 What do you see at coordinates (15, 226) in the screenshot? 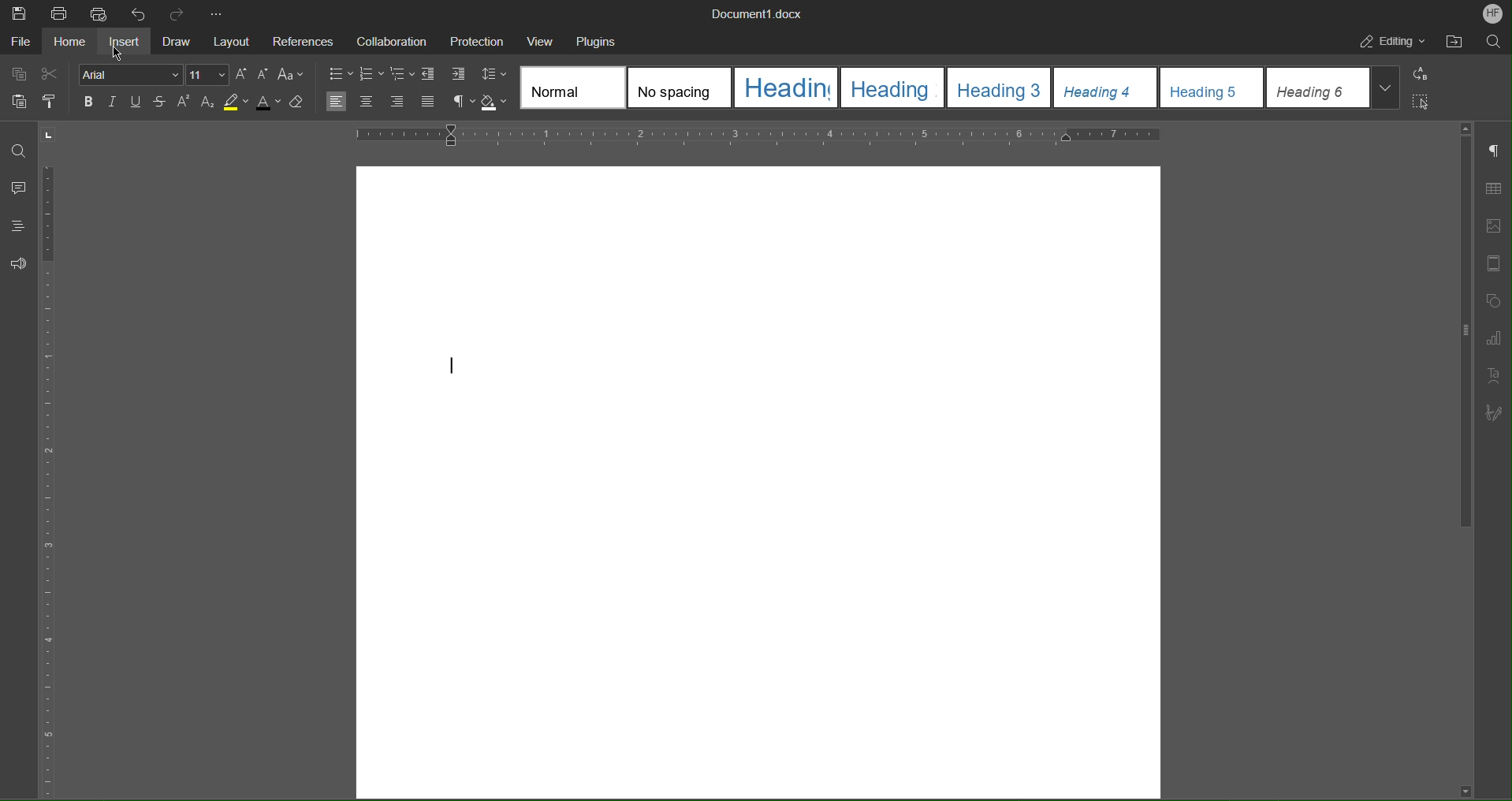
I see `Headings` at bounding box center [15, 226].